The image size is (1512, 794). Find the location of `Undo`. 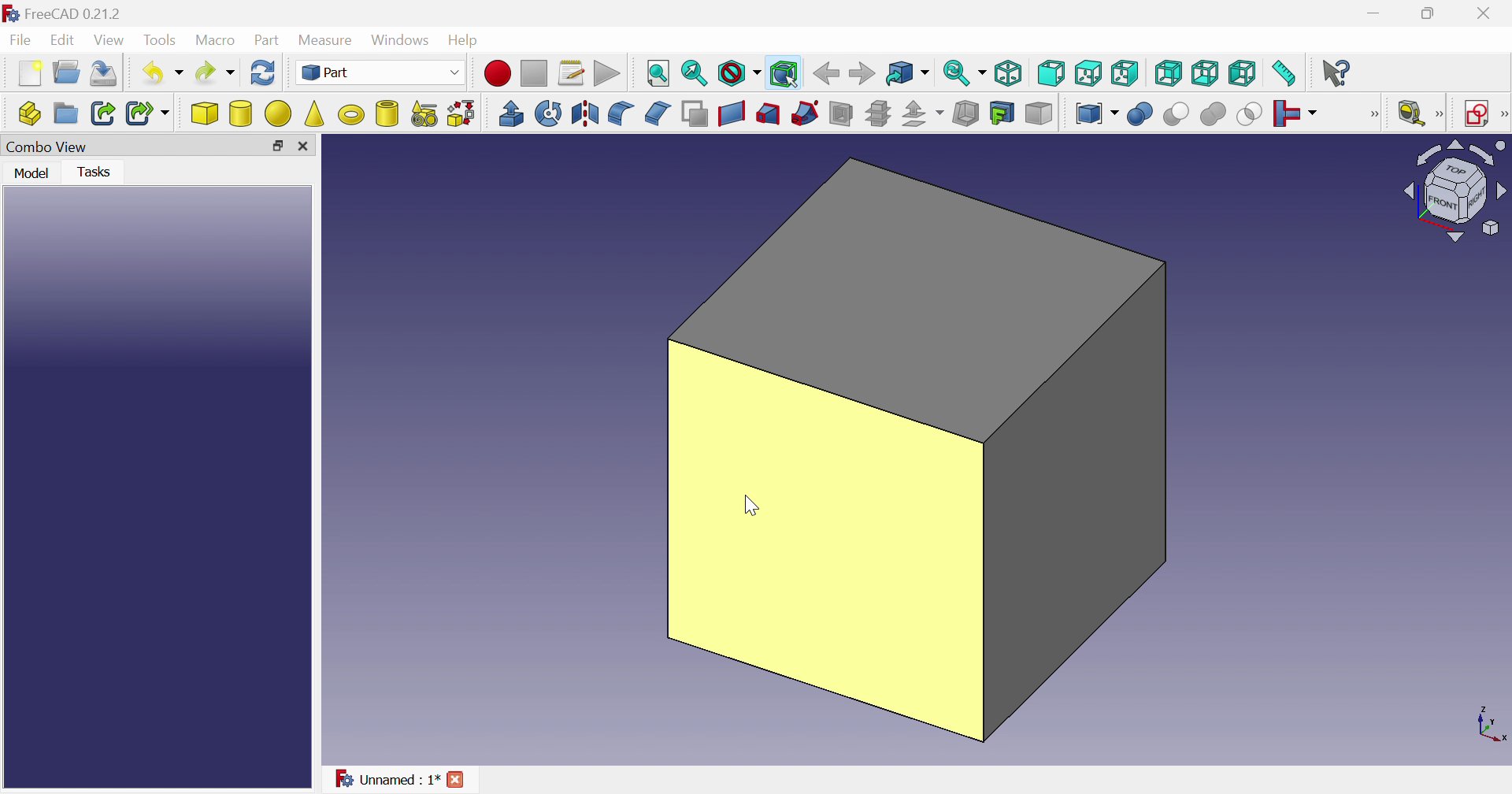

Undo is located at coordinates (165, 72).